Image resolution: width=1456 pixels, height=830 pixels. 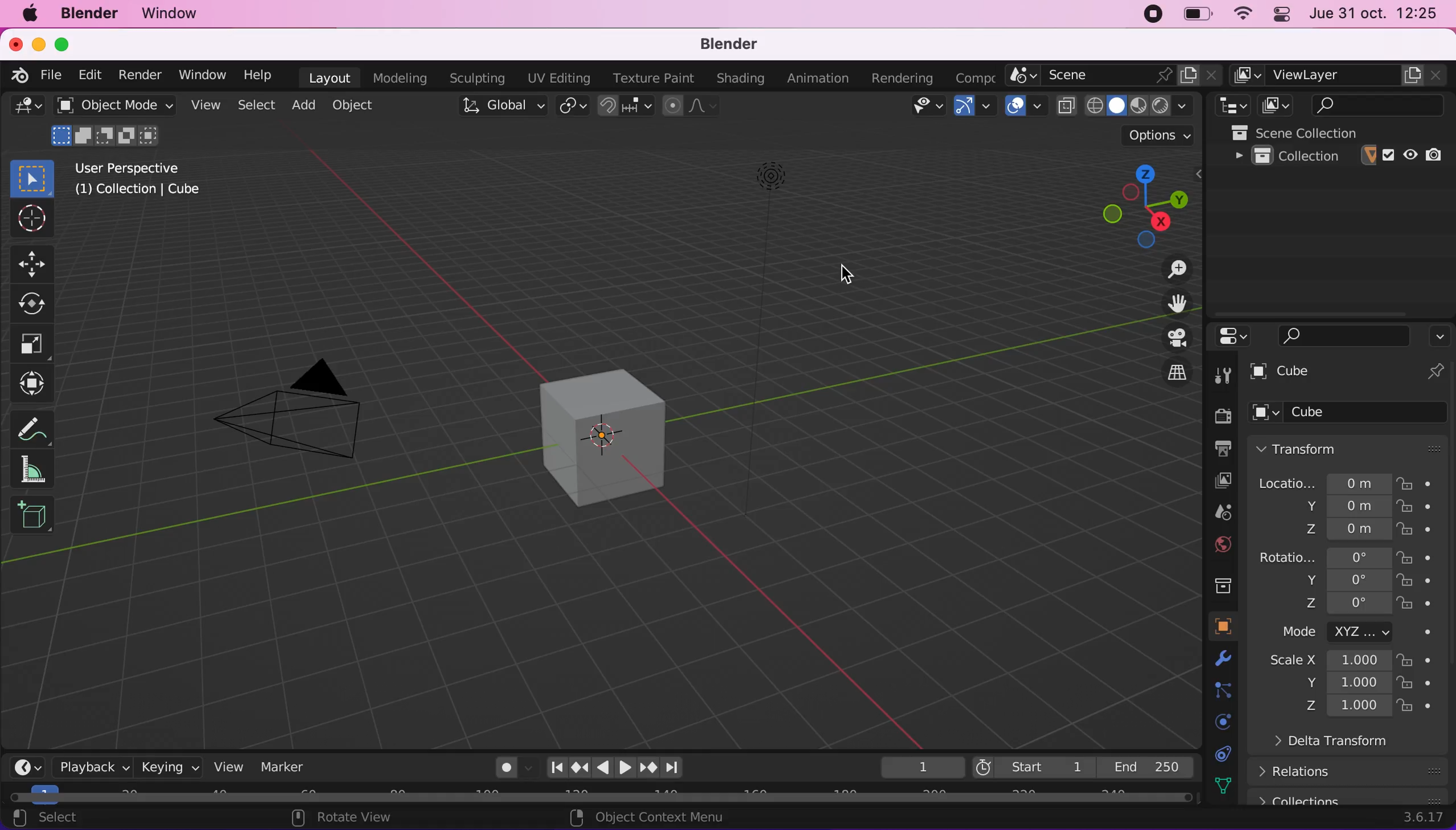 I want to click on z 0m, so click(x=1343, y=530).